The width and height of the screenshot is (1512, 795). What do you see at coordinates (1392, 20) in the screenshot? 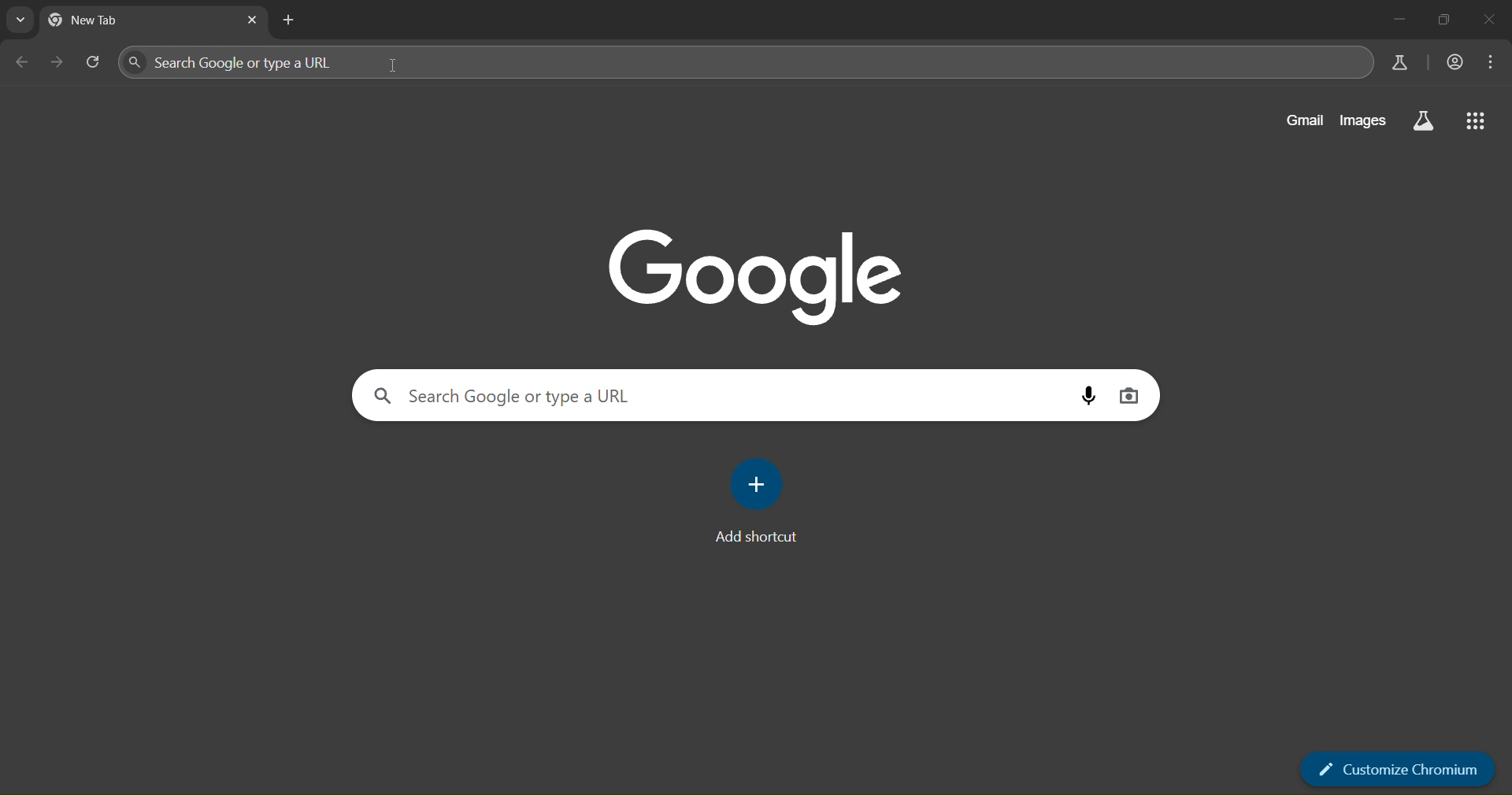
I see `minimize` at bounding box center [1392, 20].